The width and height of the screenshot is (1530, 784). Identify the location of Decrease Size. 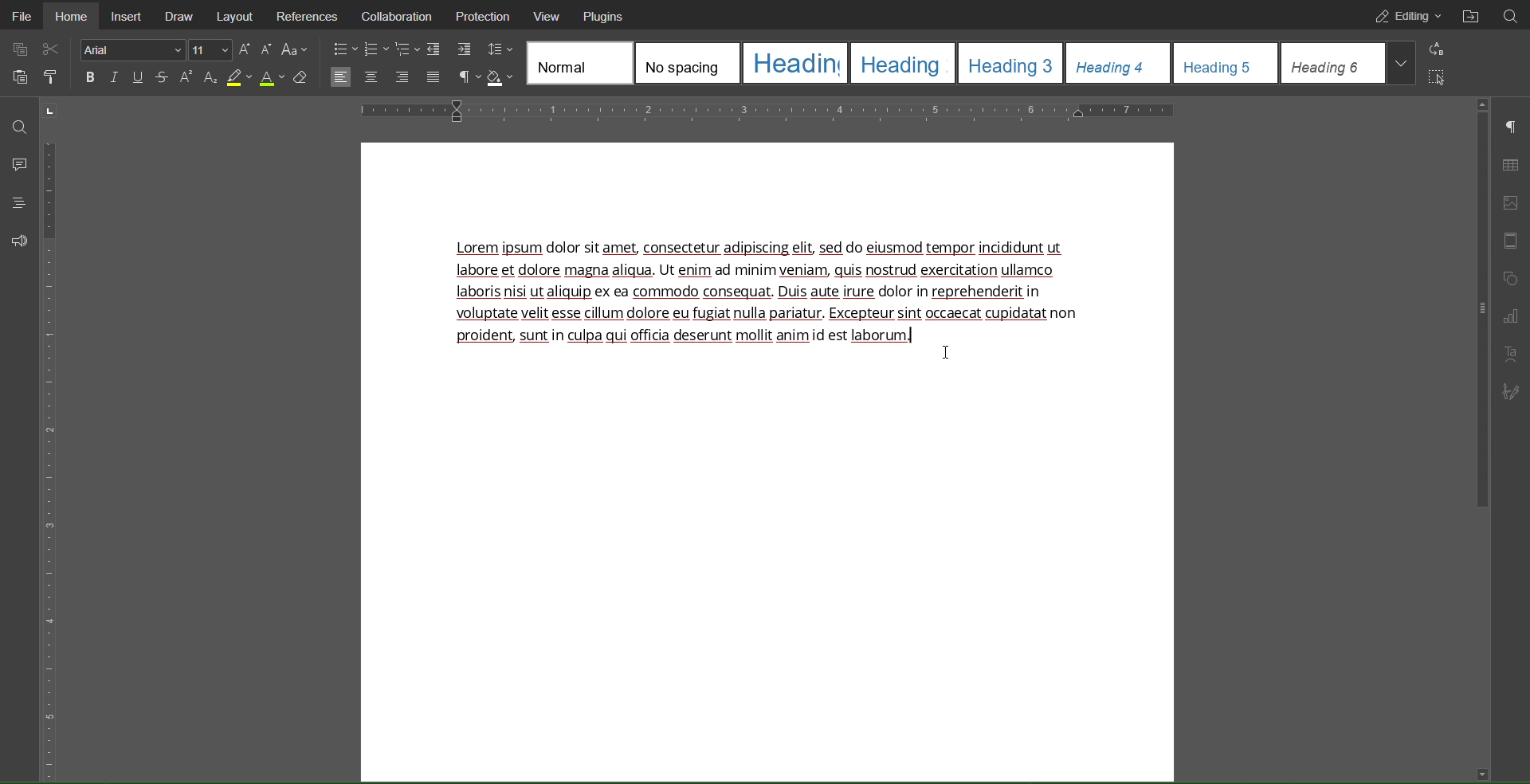
(268, 49).